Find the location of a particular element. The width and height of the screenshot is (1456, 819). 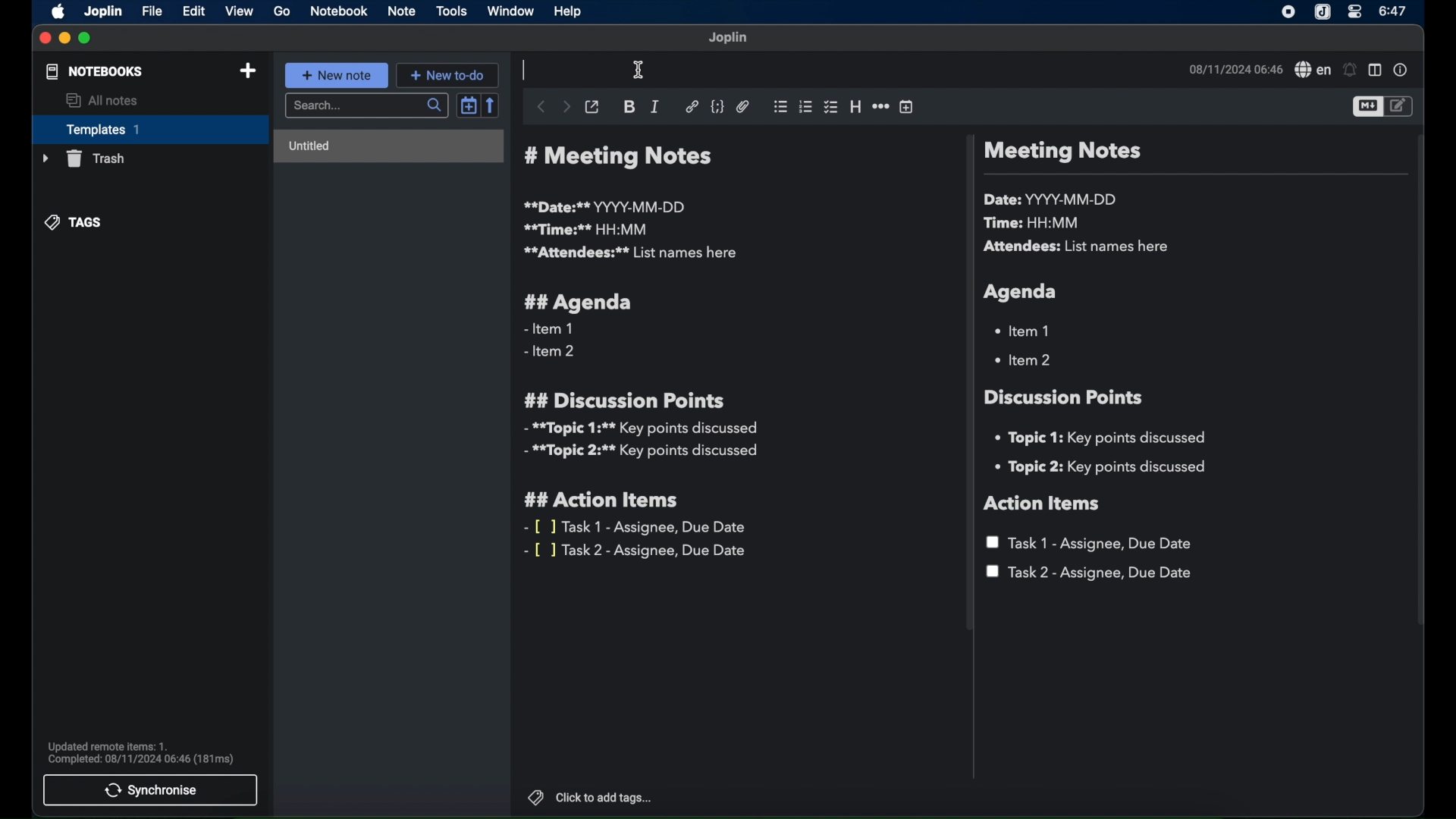

updated remote item 1 completed 08/11/2024 06:46 (181ms) is located at coordinates (143, 752).